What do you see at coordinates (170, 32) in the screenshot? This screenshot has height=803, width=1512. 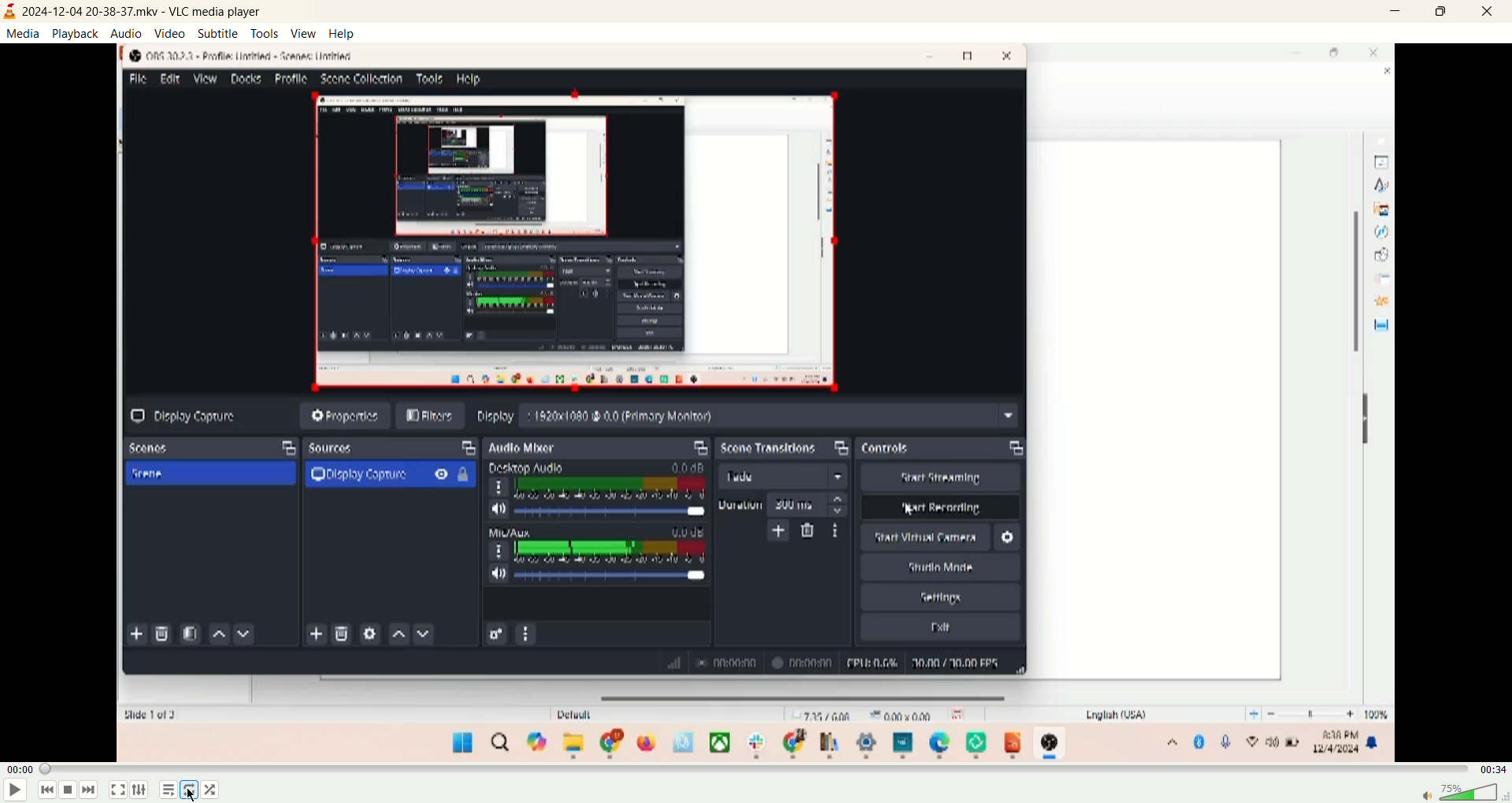 I see `video` at bounding box center [170, 32].